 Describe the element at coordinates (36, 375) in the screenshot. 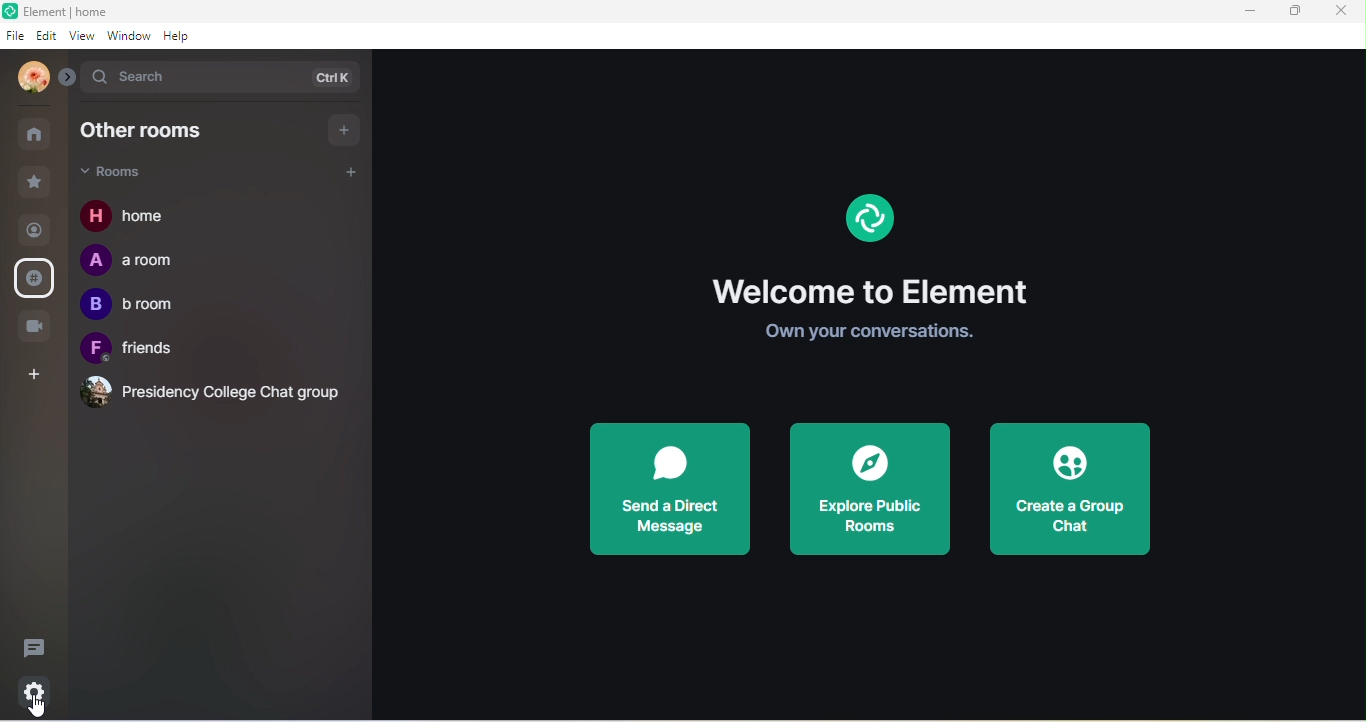

I see `create a space ` at that location.